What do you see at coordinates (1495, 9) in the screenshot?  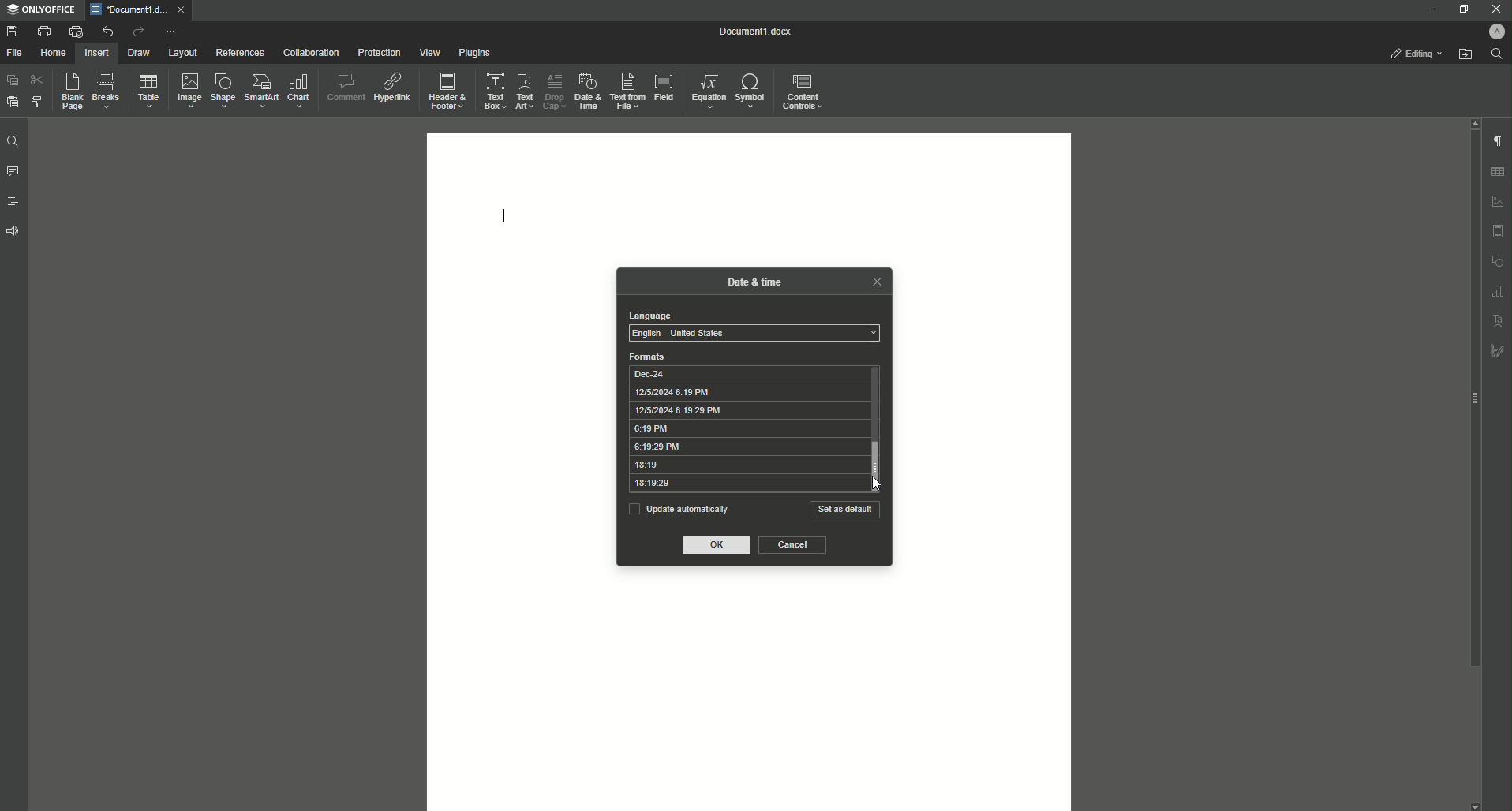 I see `Close` at bounding box center [1495, 9].